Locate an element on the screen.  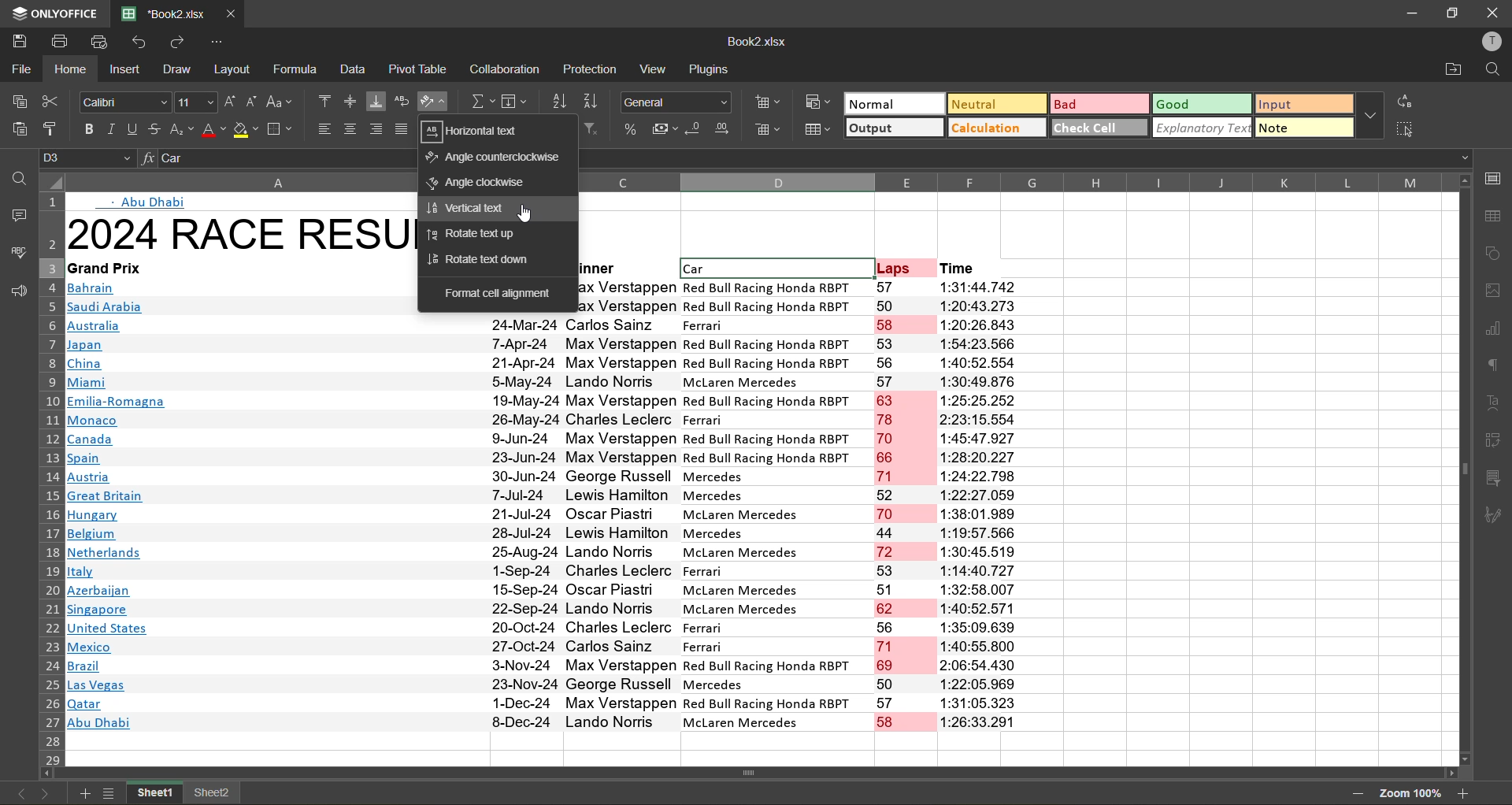
sheet 2 is located at coordinates (212, 792).